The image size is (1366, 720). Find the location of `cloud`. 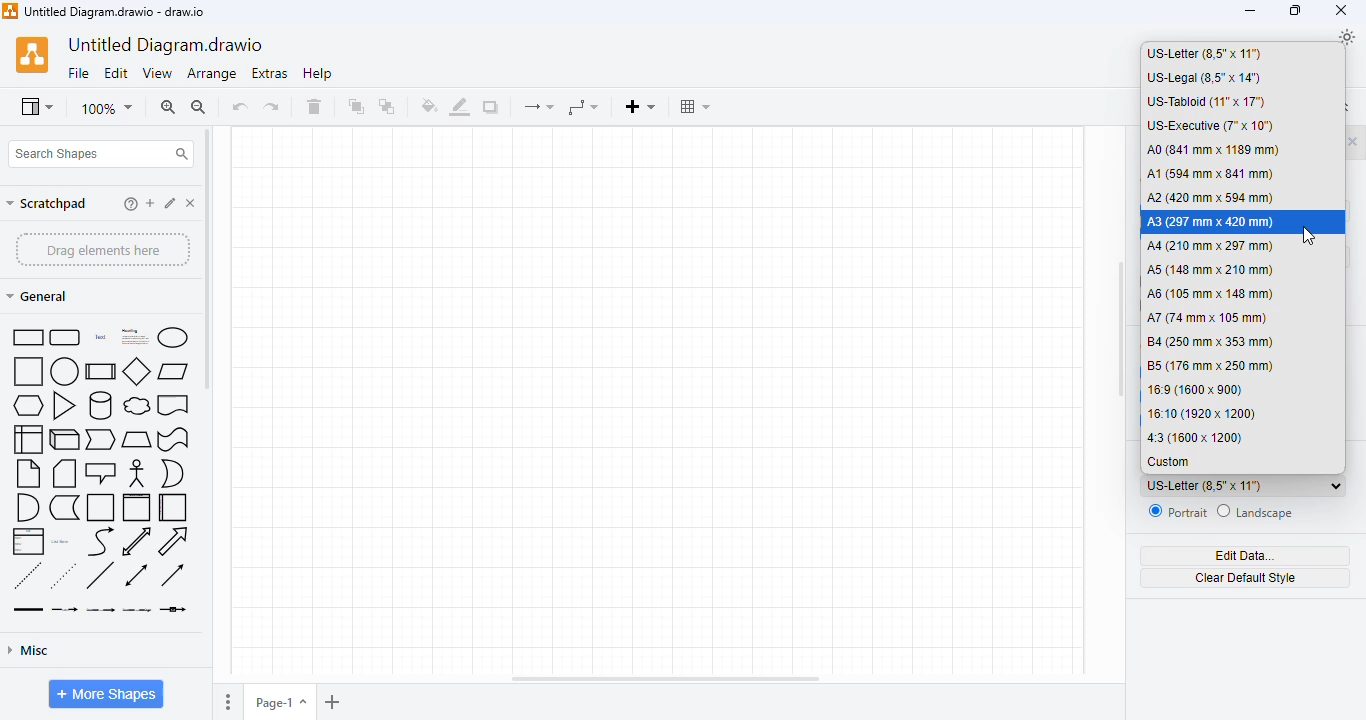

cloud is located at coordinates (137, 406).